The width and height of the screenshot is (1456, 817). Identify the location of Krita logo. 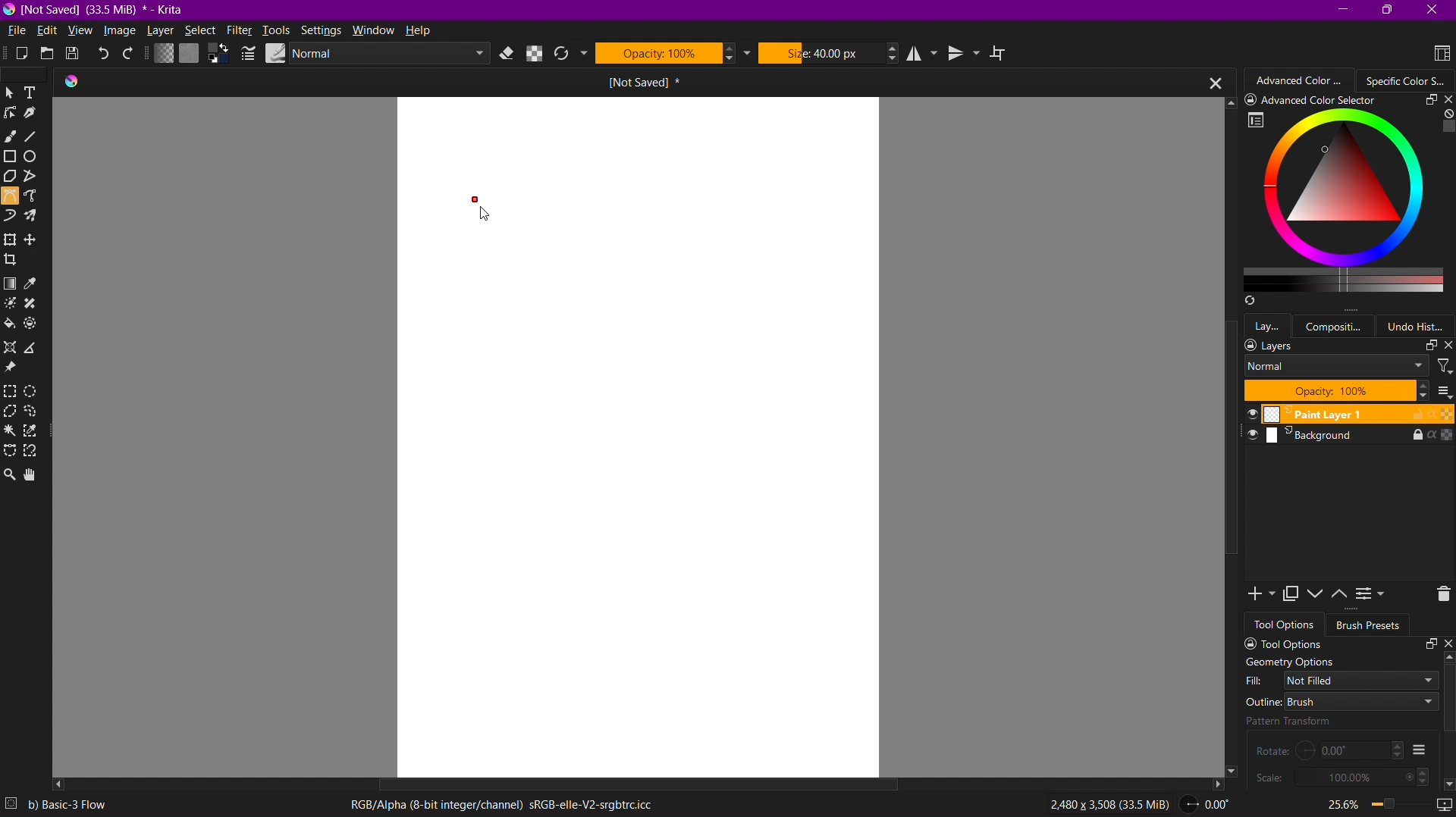
(72, 82).